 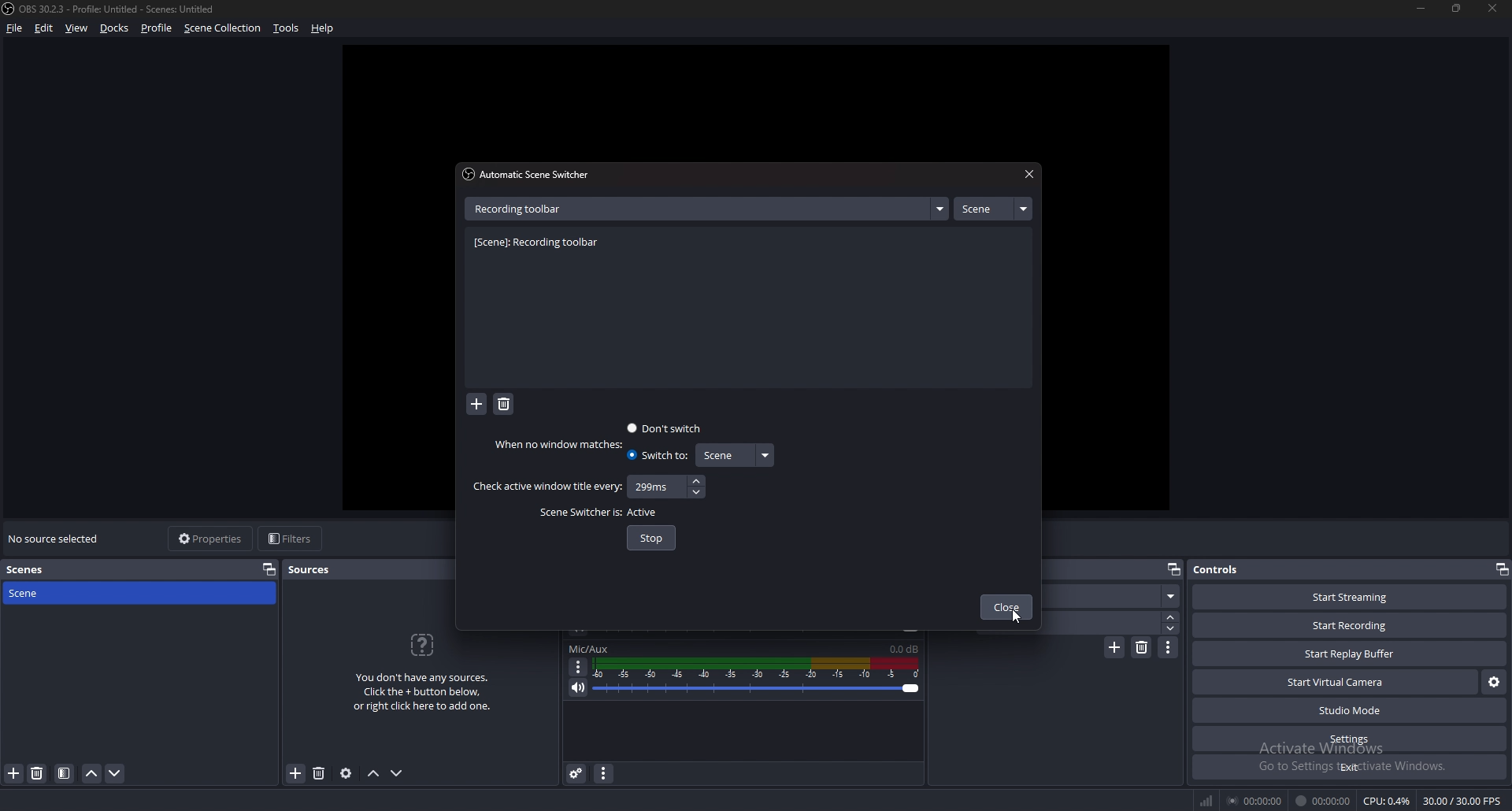 I want to click on volume level, so click(x=904, y=649).